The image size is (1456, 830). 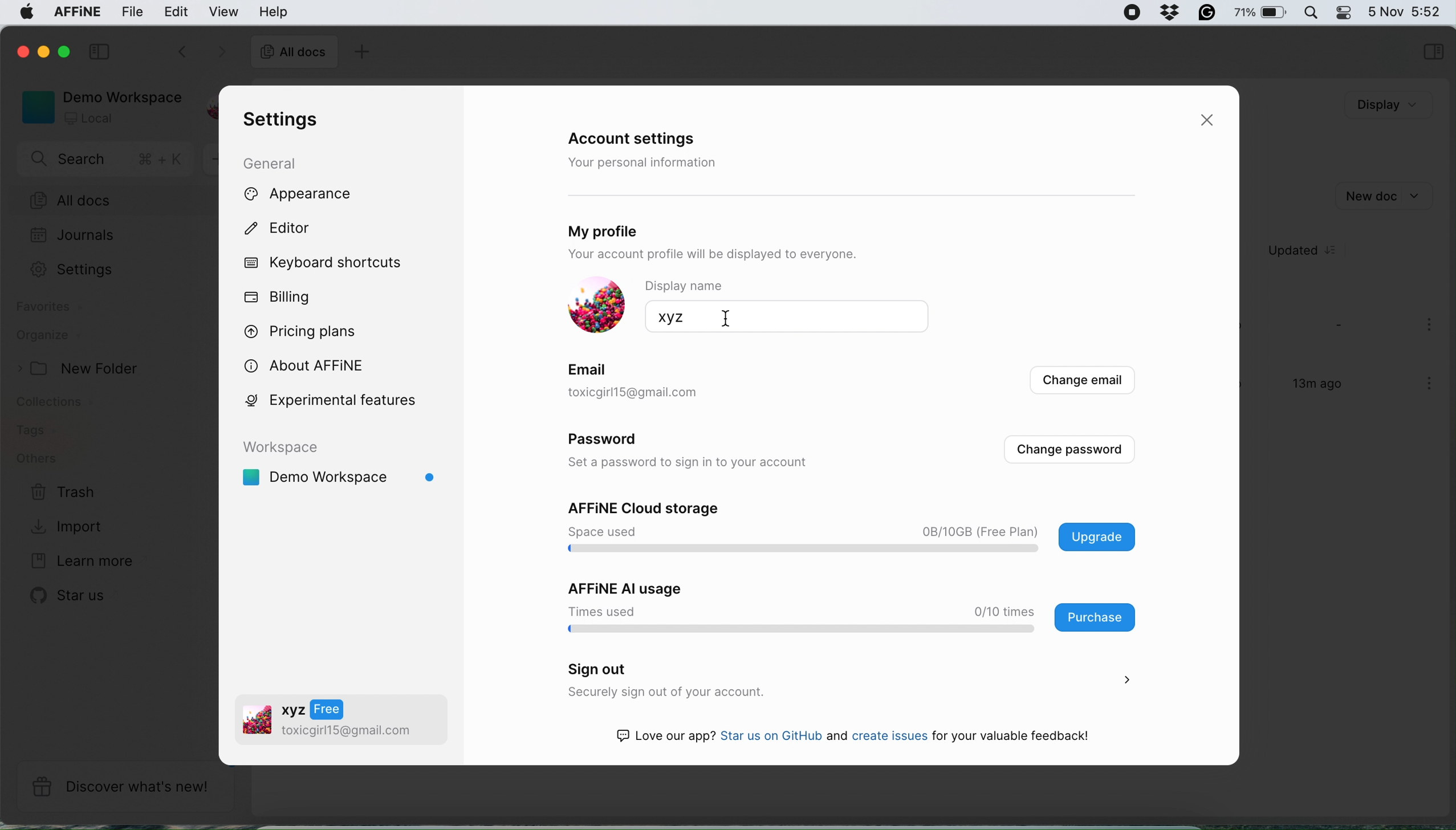 What do you see at coordinates (654, 393) in the screenshot?
I see `toxicgirl1S@gmail.com` at bounding box center [654, 393].